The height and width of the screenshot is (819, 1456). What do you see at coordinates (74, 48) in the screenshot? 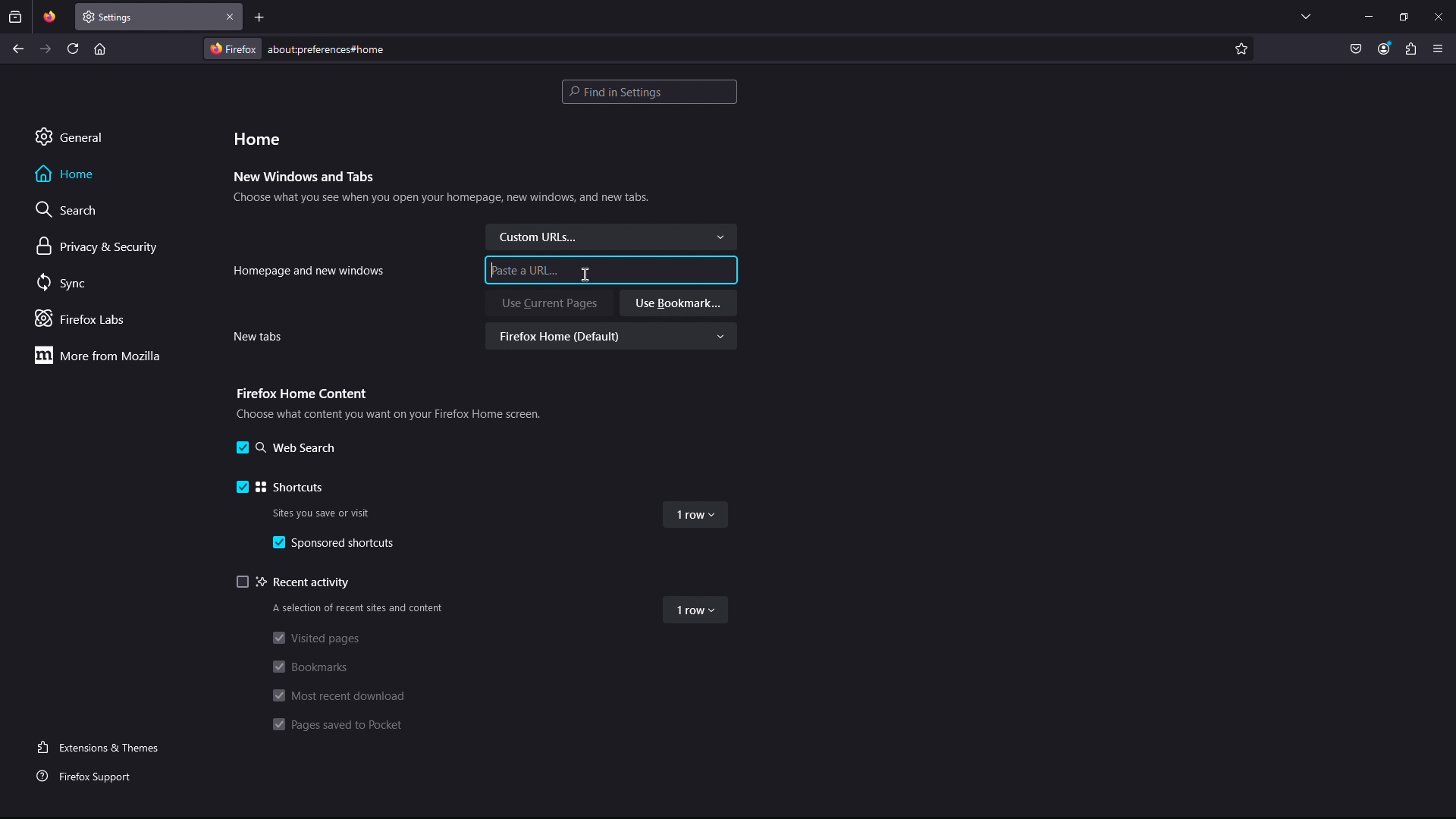
I see `Refresh` at bounding box center [74, 48].